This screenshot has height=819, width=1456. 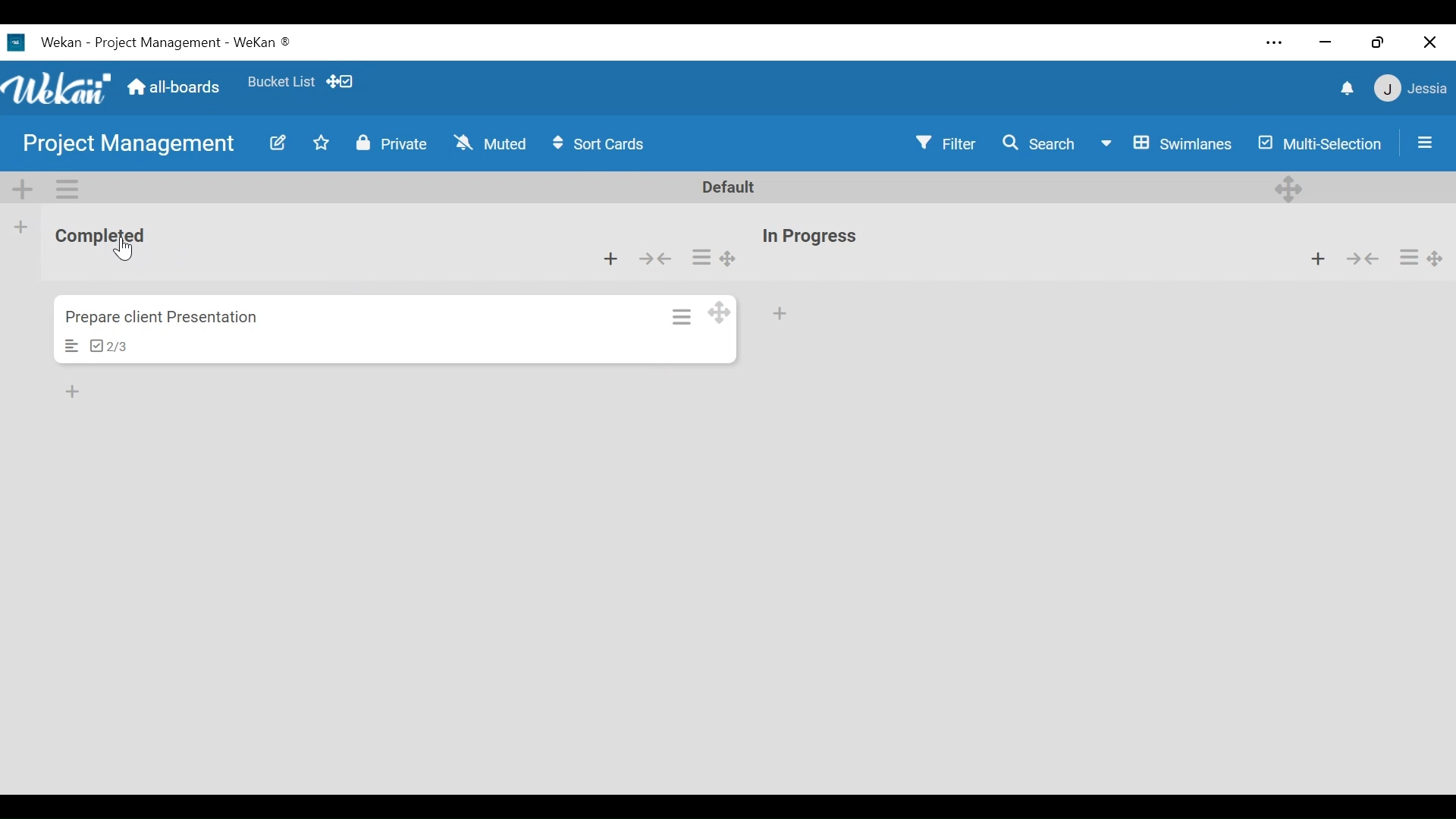 I want to click on Collapse, so click(x=1364, y=260).